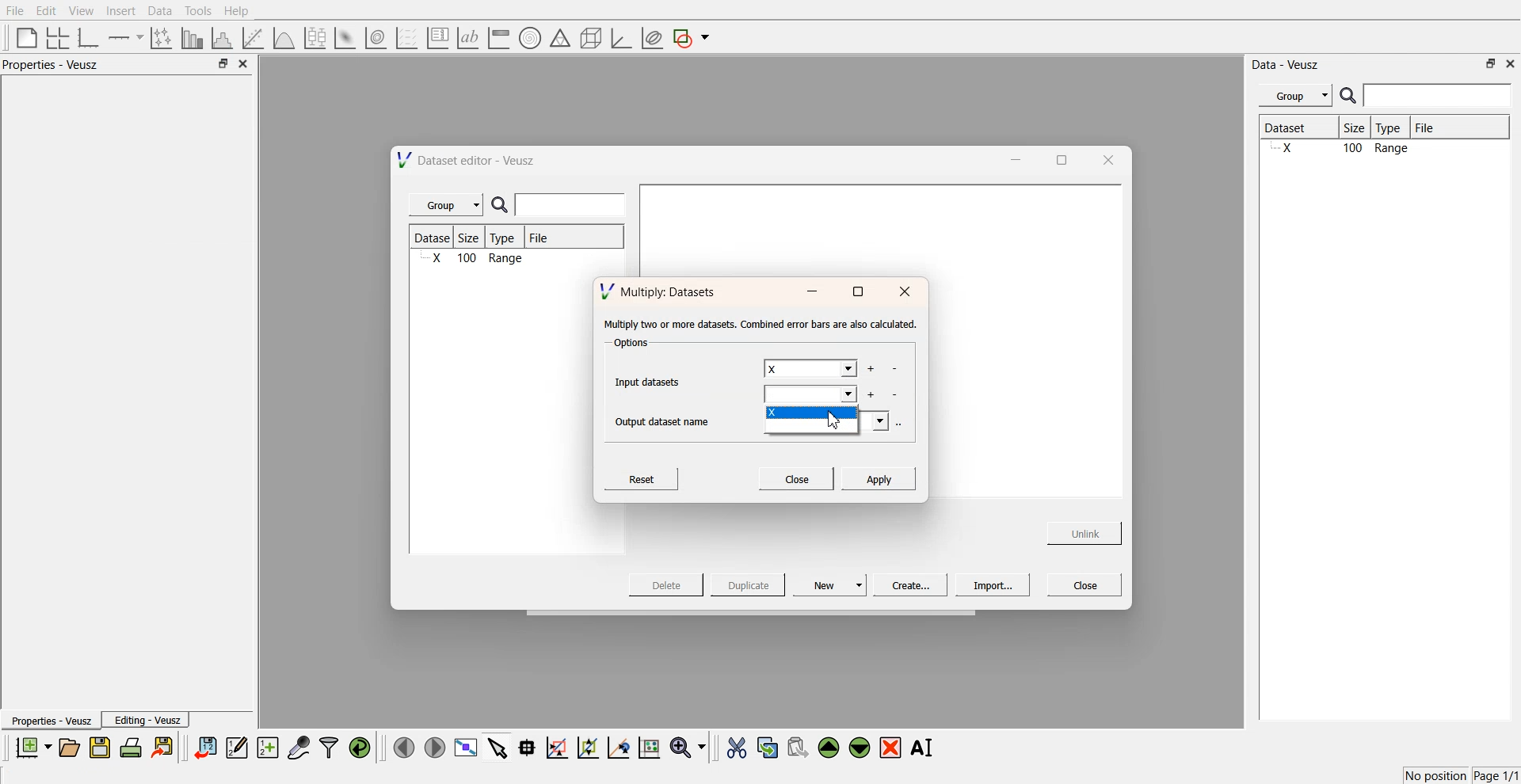 The height and width of the screenshot is (784, 1521). What do you see at coordinates (55, 37) in the screenshot?
I see `arrange graphs` at bounding box center [55, 37].